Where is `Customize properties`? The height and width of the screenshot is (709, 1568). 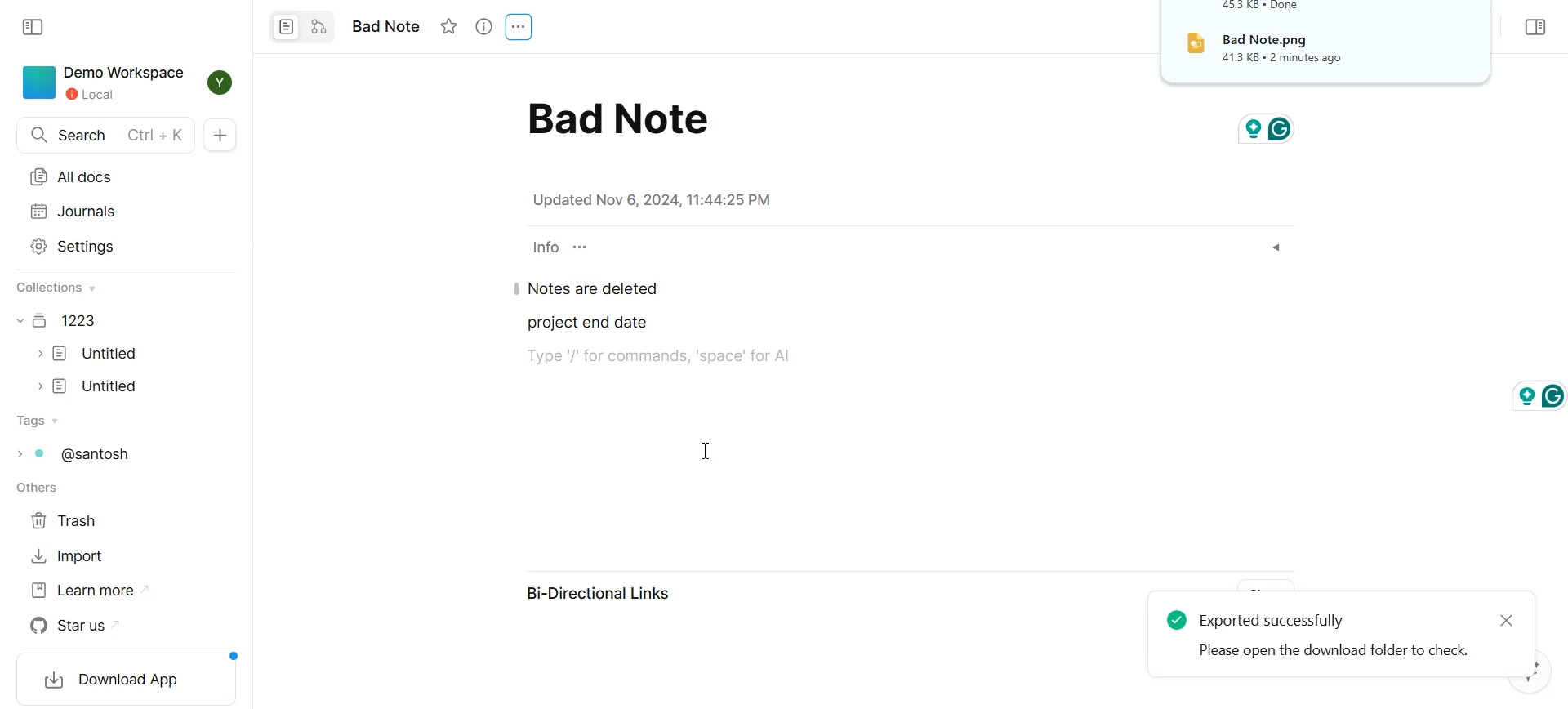
Customize properties is located at coordinates (581, 247).